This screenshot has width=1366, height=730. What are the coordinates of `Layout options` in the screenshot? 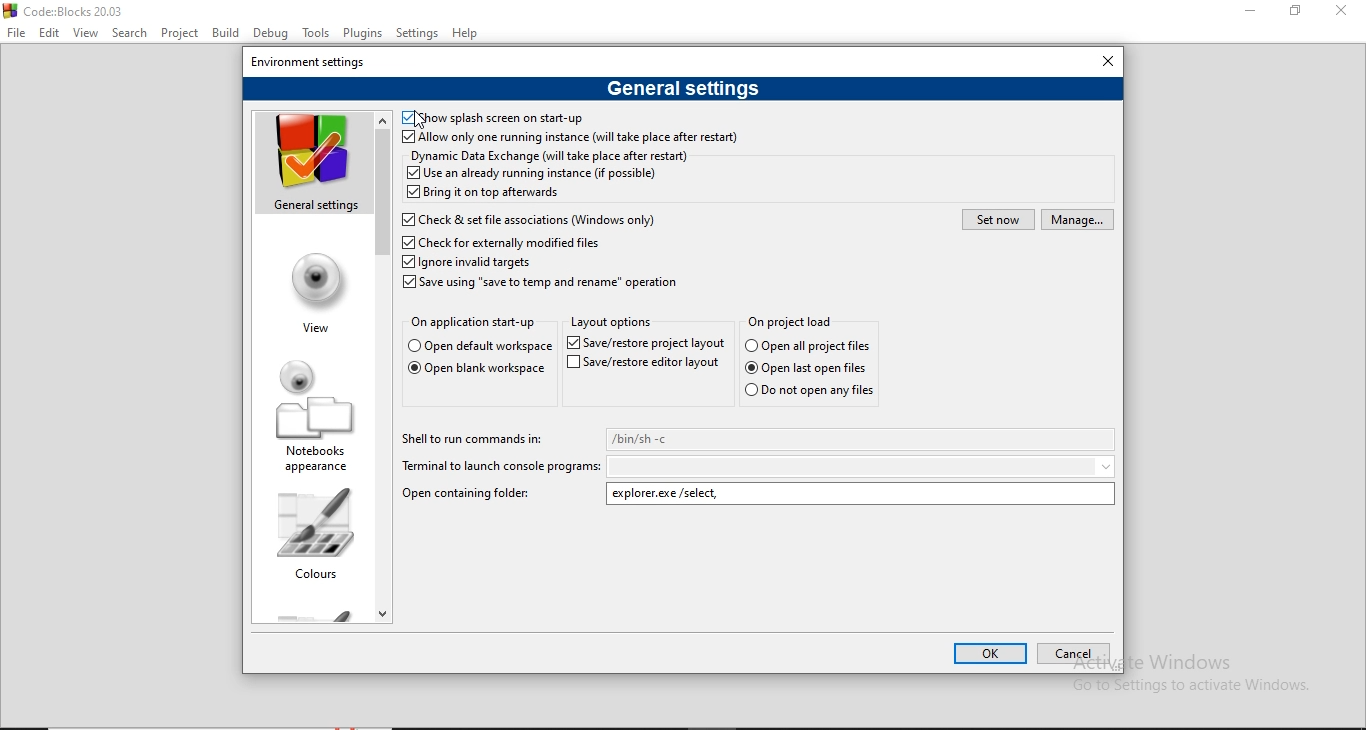 It's located at (611, 322).